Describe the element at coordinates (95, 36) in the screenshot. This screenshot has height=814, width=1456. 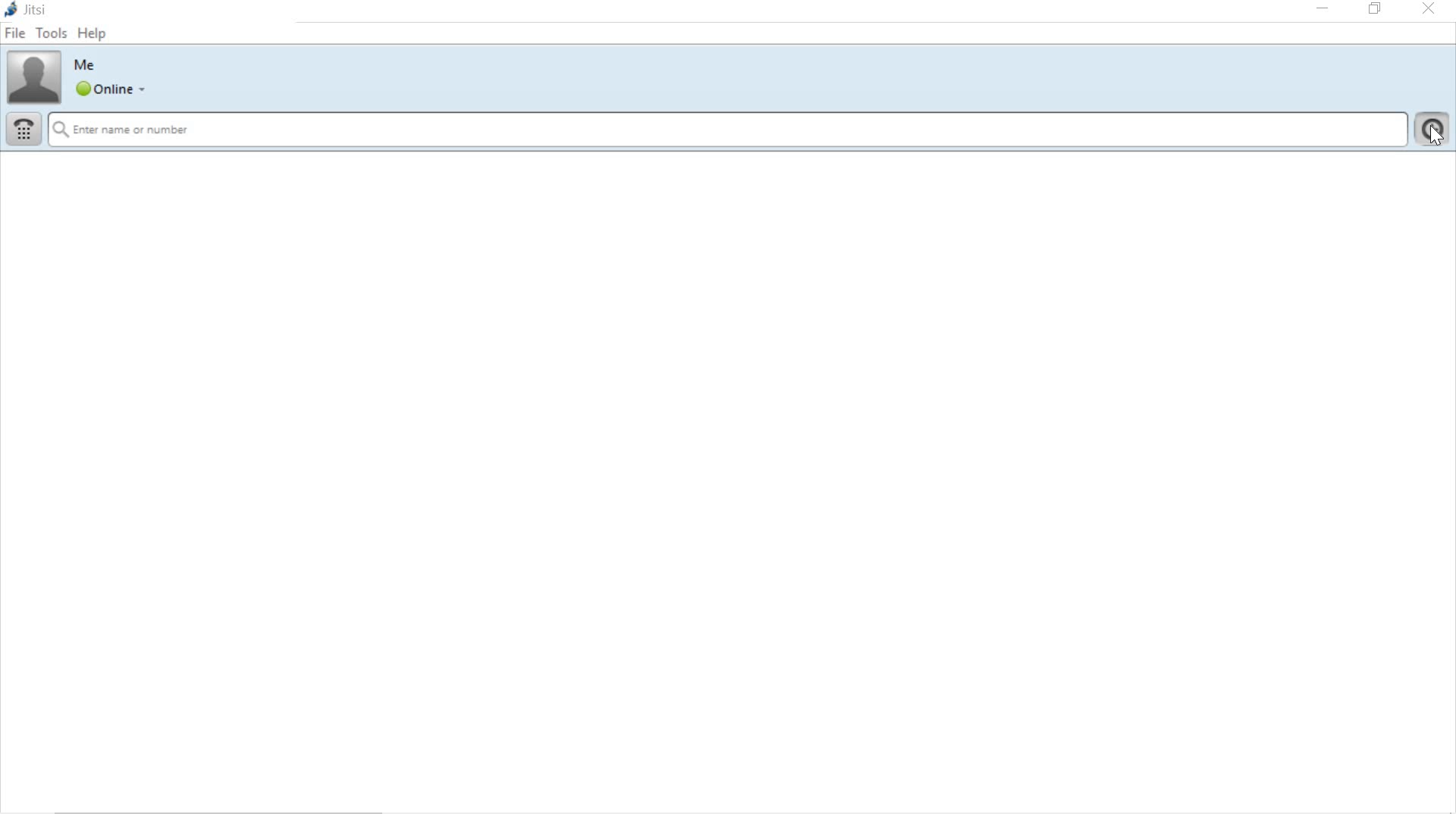
I see `help` at that location.